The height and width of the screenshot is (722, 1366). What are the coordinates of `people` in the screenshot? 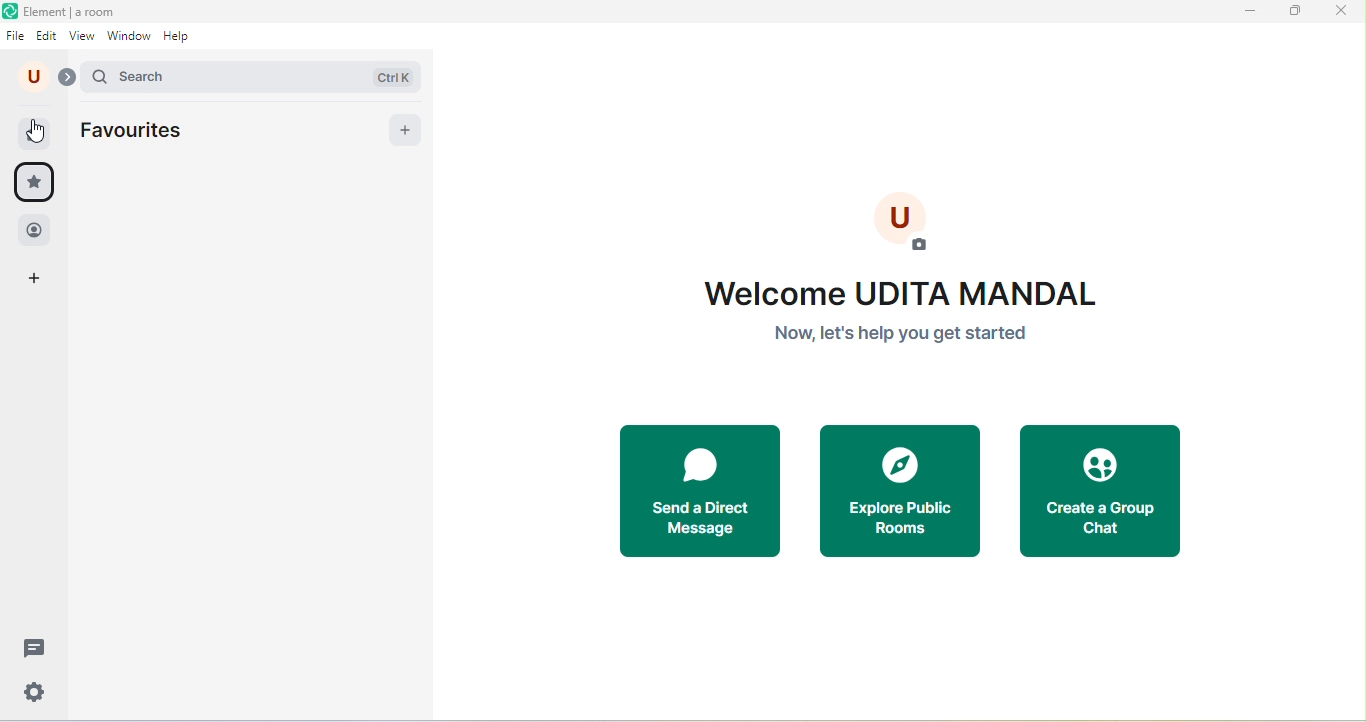 It's located at (33, 229).